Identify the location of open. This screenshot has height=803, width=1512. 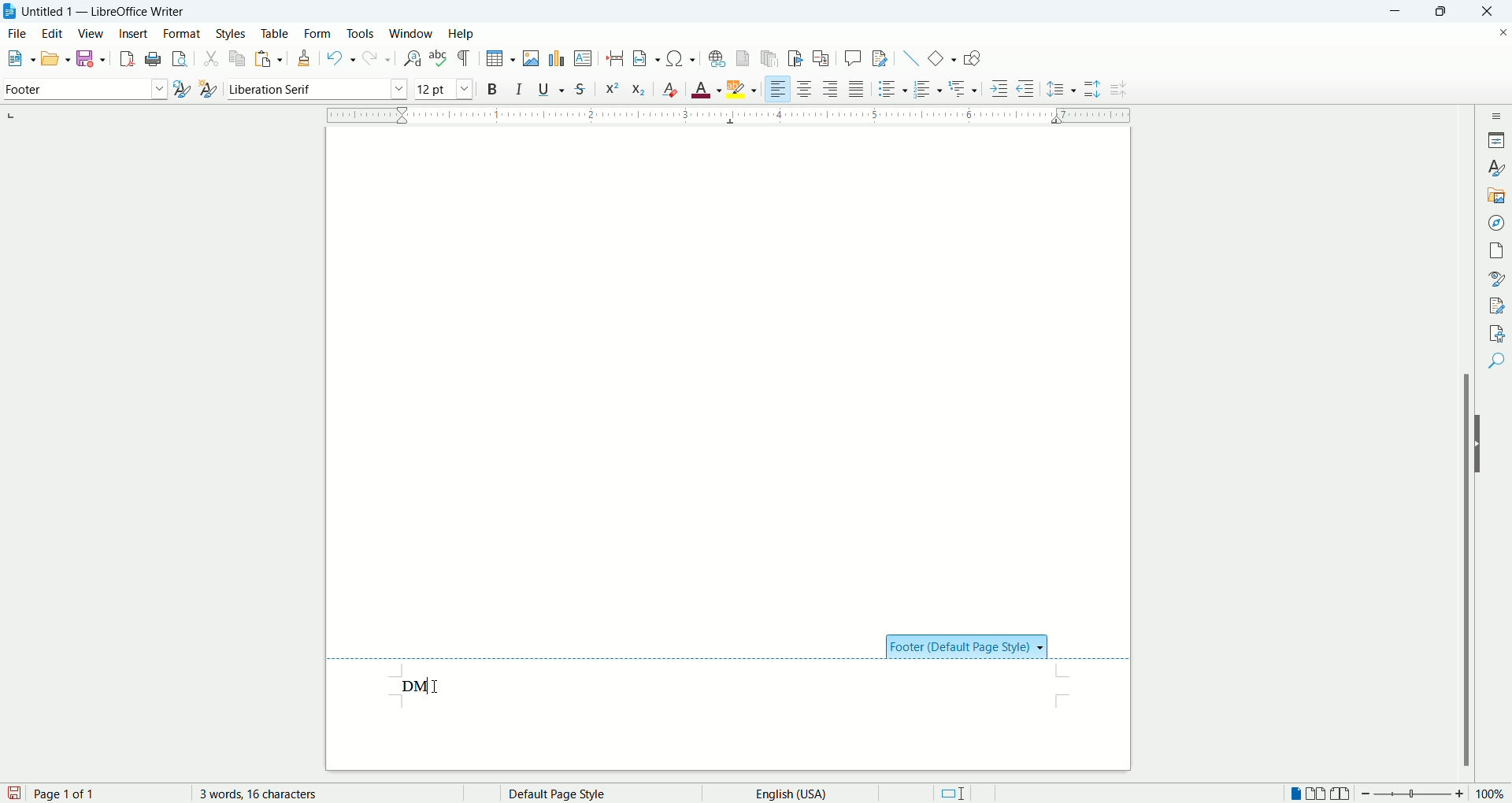
(54, 57).